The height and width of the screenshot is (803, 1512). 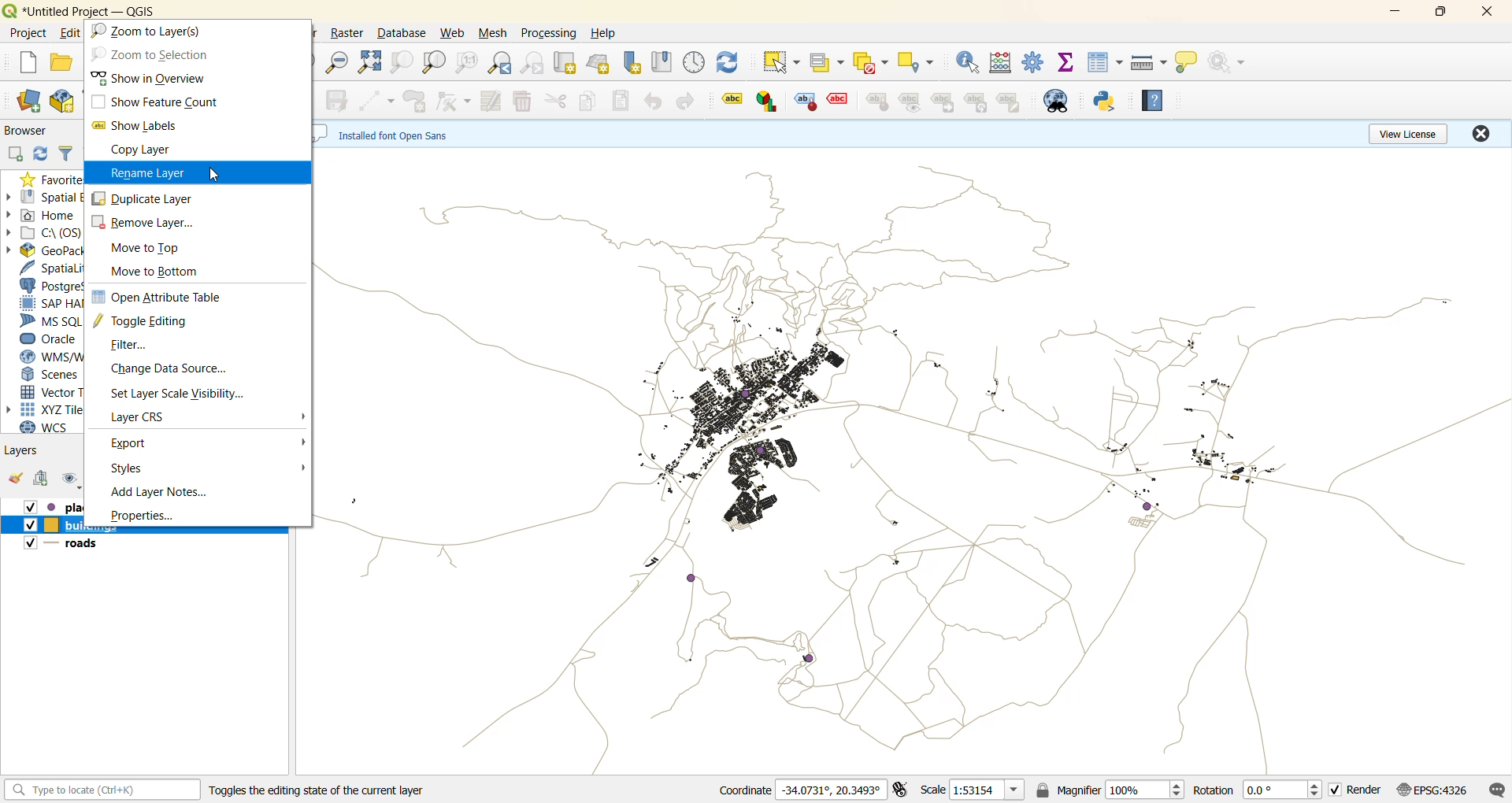 What do you see at coordinates (329, 790) in the screenshot?
I see `Toggles the editing state of the current layer` at bounding box center [329, 790].